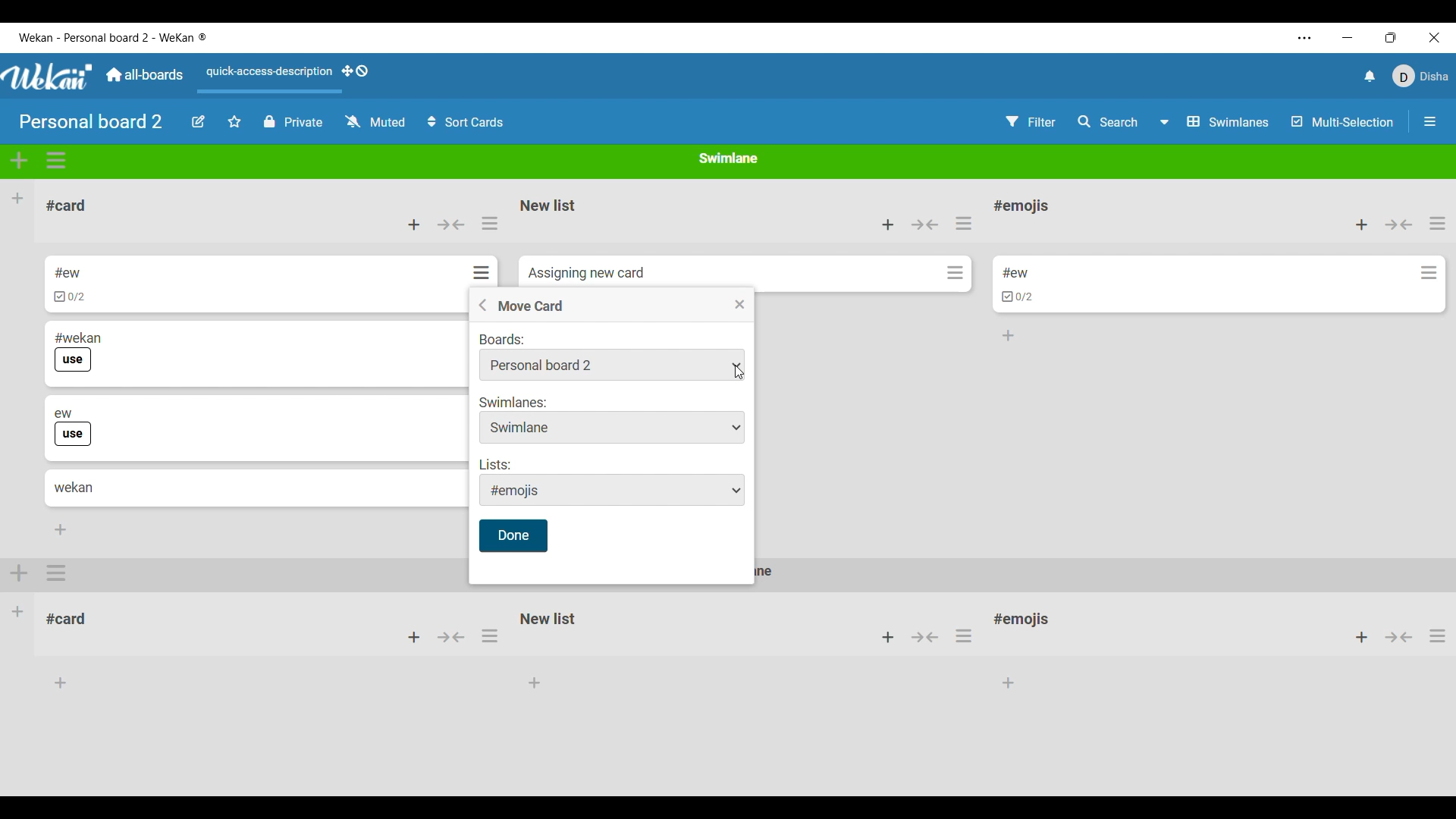 The width and height of the screenshot is (1456, 819). I want to click on List actions, so click(963, 223).